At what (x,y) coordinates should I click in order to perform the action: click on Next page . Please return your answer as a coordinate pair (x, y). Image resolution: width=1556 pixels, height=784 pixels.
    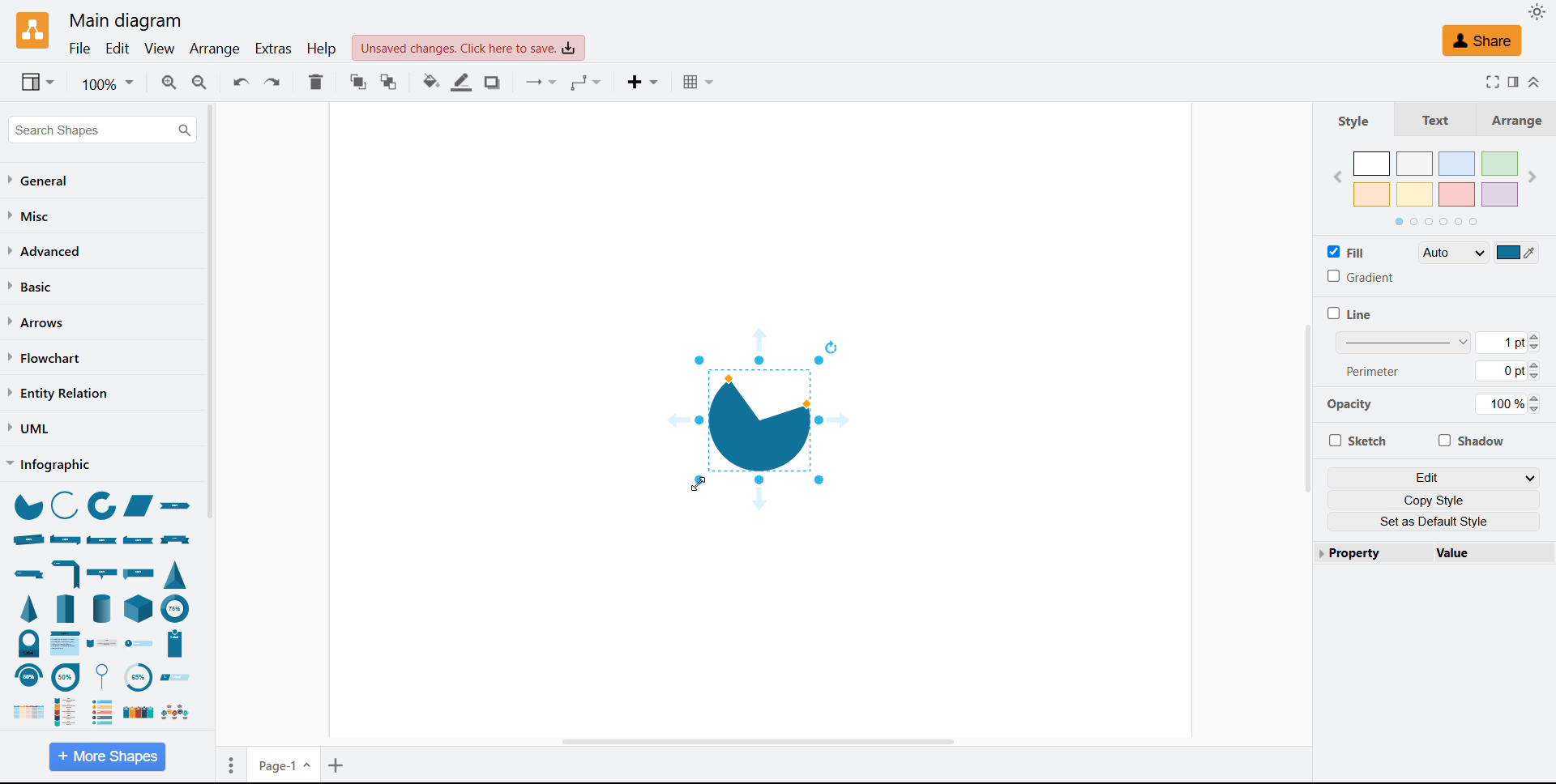
    Looking at the image, I should click on (1532, 177).